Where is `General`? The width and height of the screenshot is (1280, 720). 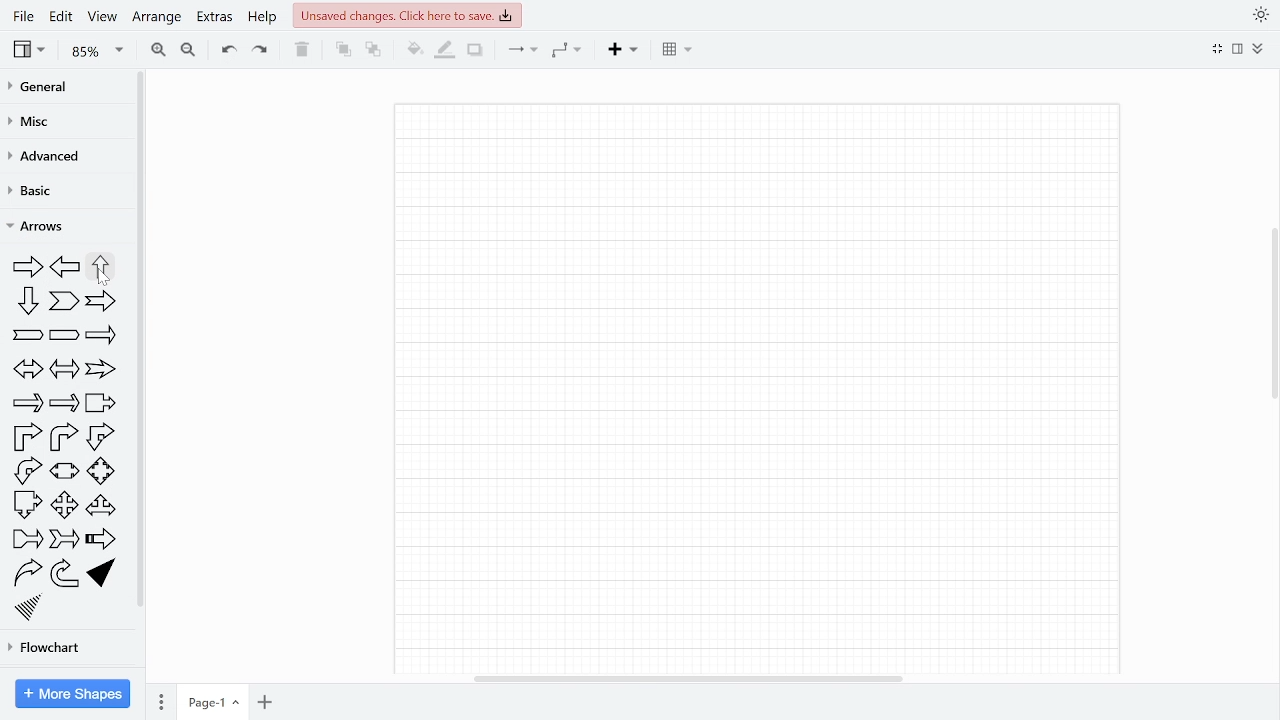 General is located at coordinates (43, 89).